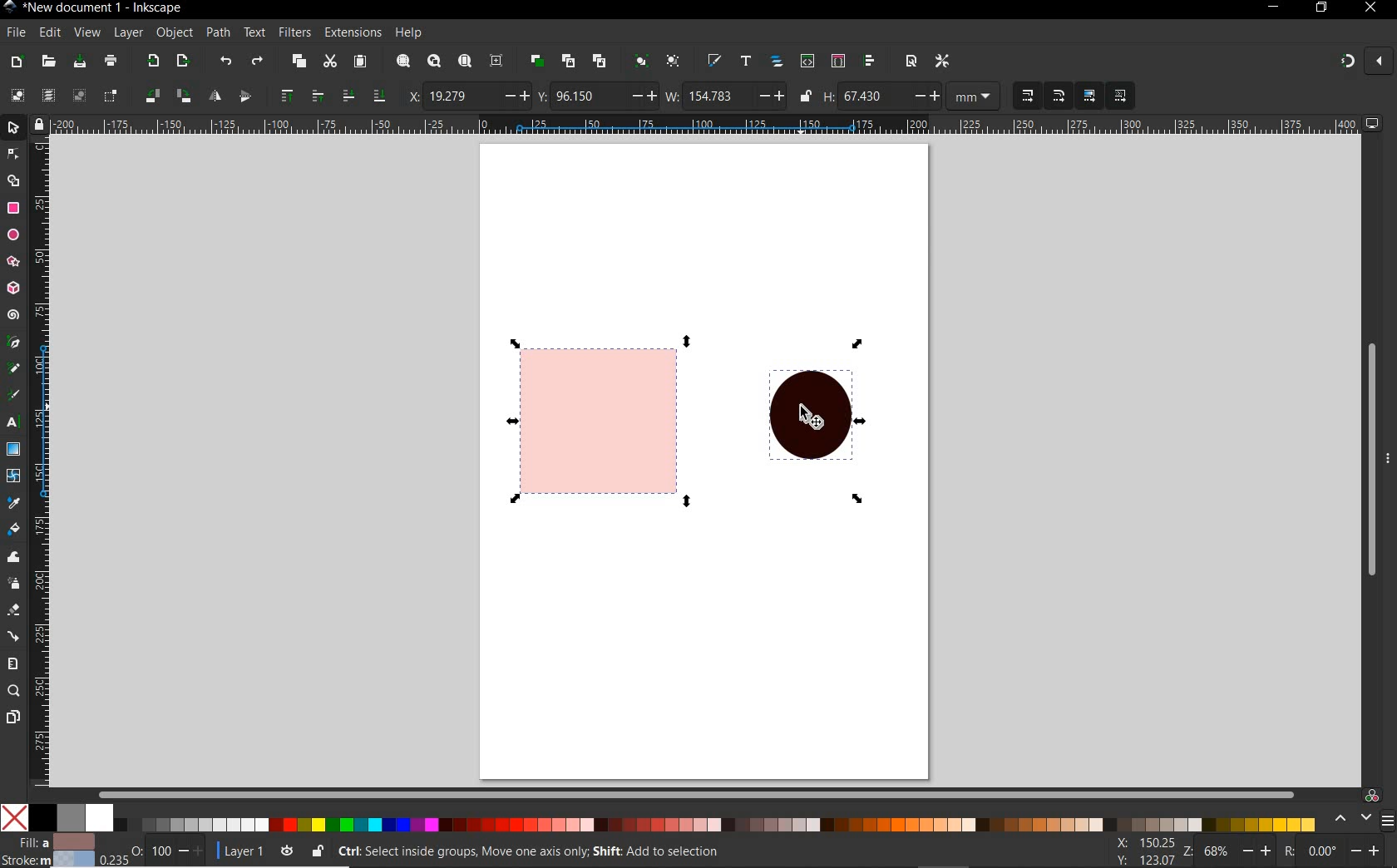  Describe the element at coordinates (1090, 95) in the screenshot. I see `move gradient` at that location.